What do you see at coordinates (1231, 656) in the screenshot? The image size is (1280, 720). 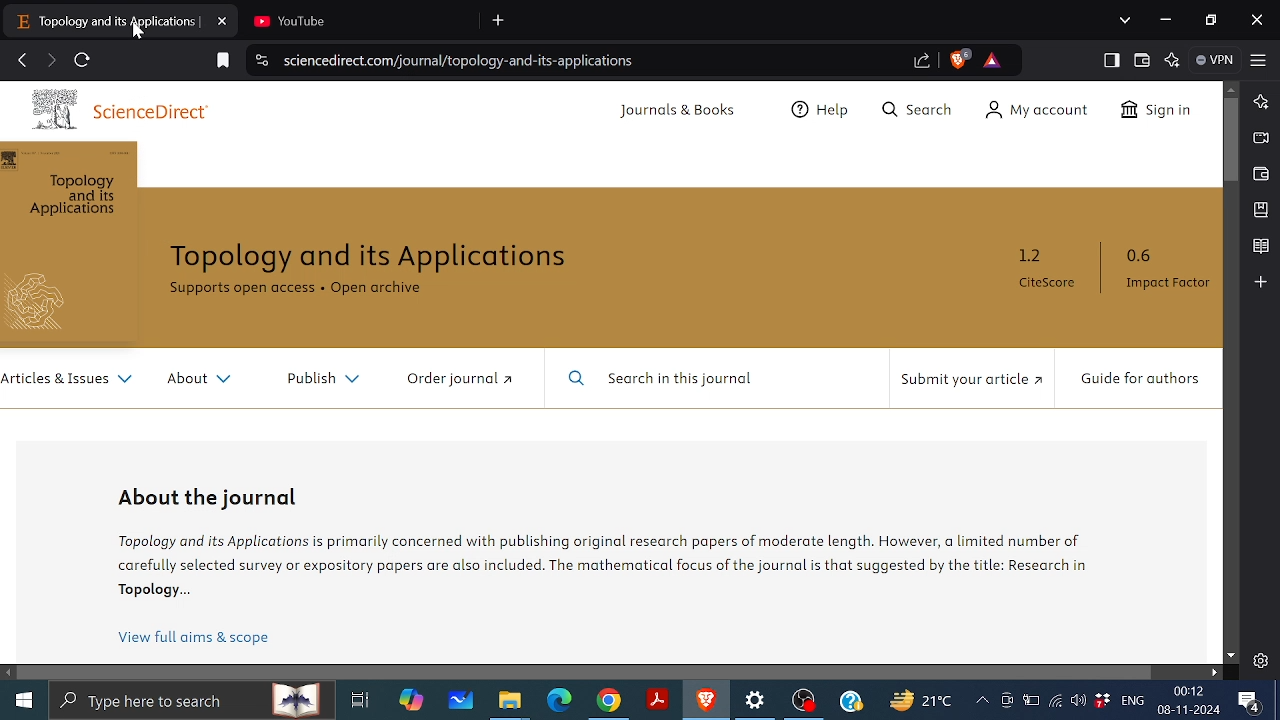 I see `Move down` at bounding box center [1231, 656].